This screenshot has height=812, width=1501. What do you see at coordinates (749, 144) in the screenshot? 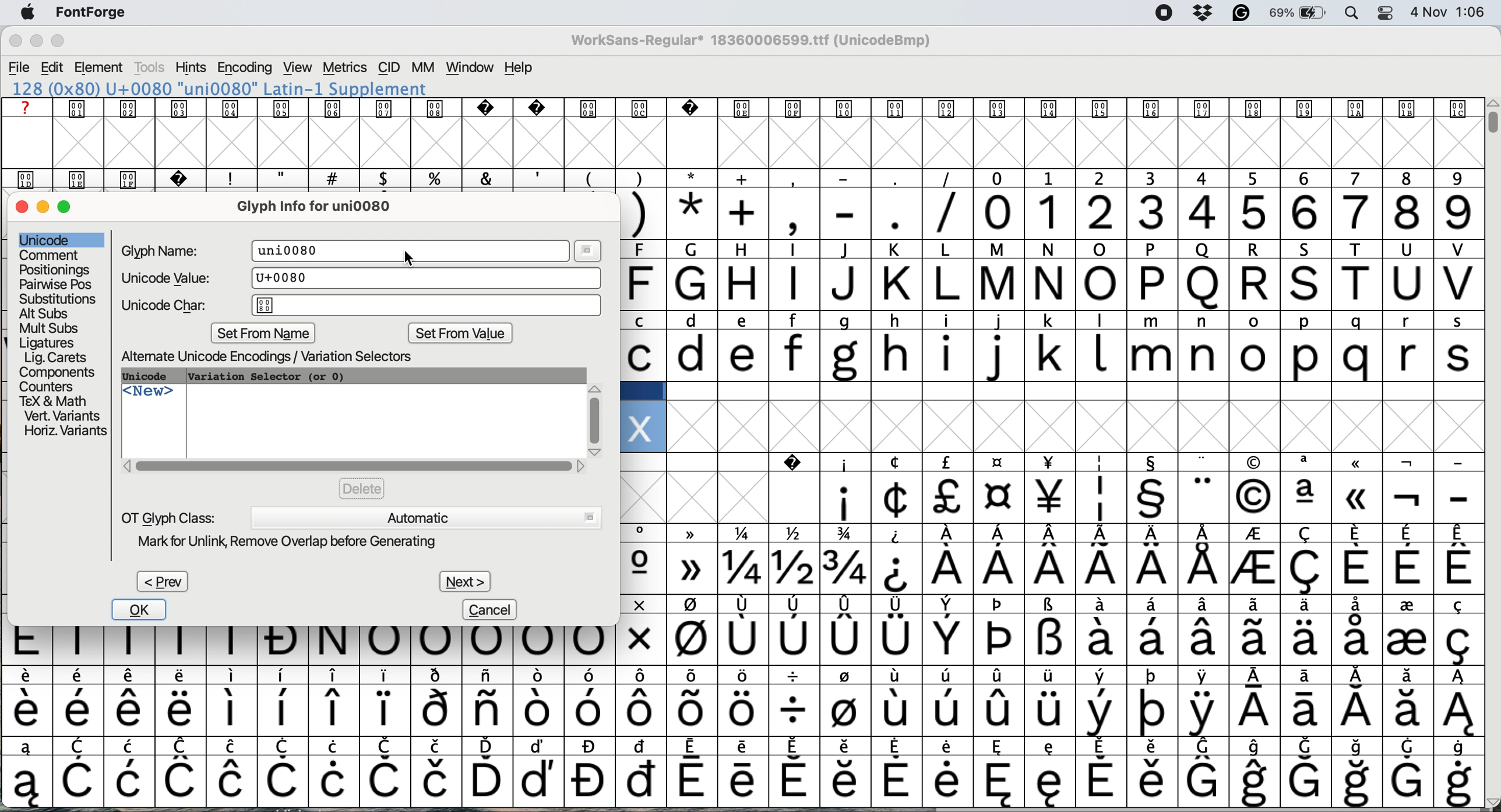
I see `glyph grid` at bounding box center [749, 144].